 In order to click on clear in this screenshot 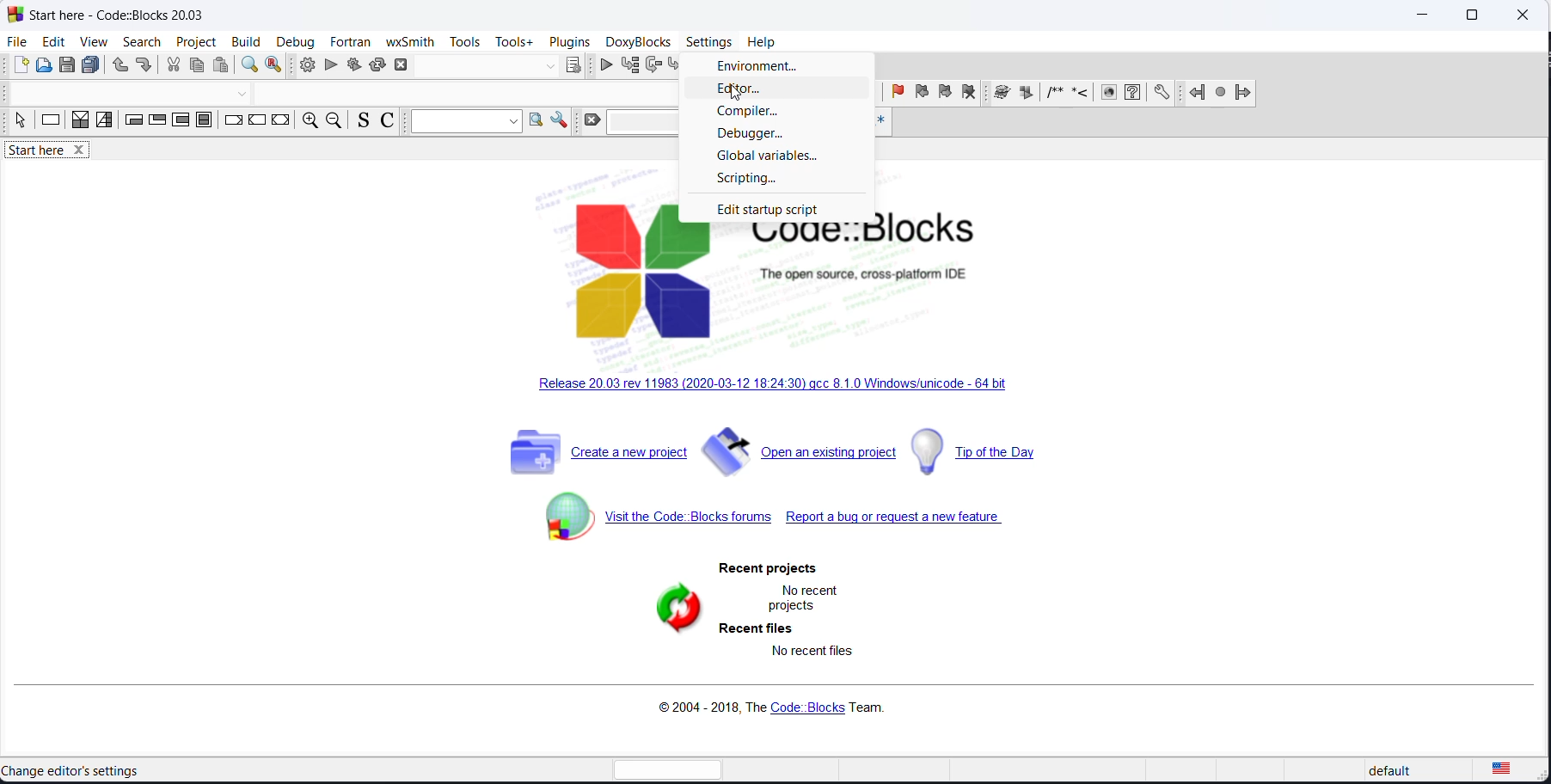, I will do `click(590, 120)`.